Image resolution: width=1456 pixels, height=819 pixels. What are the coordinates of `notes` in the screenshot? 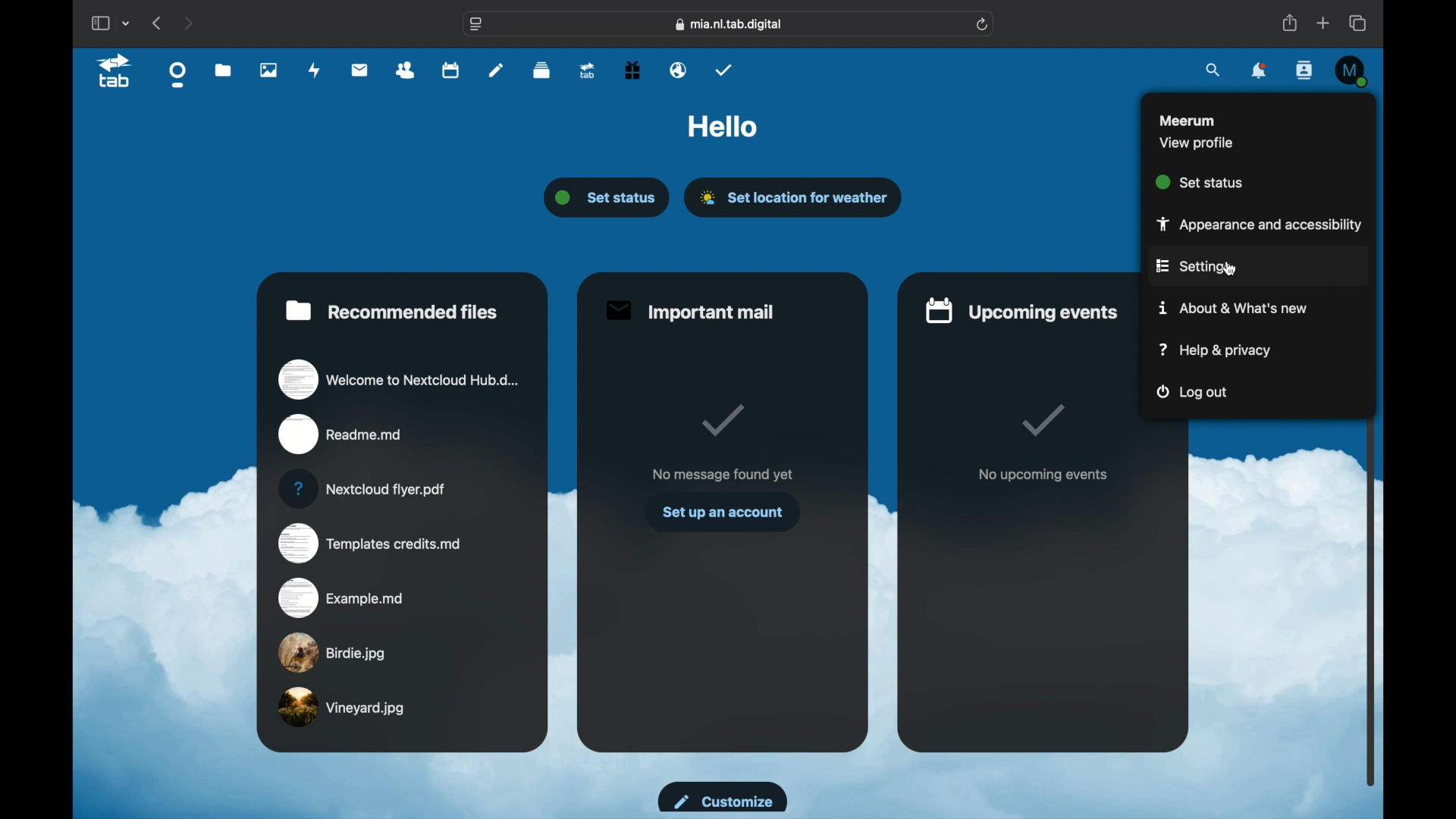 It's located at (496, 69).